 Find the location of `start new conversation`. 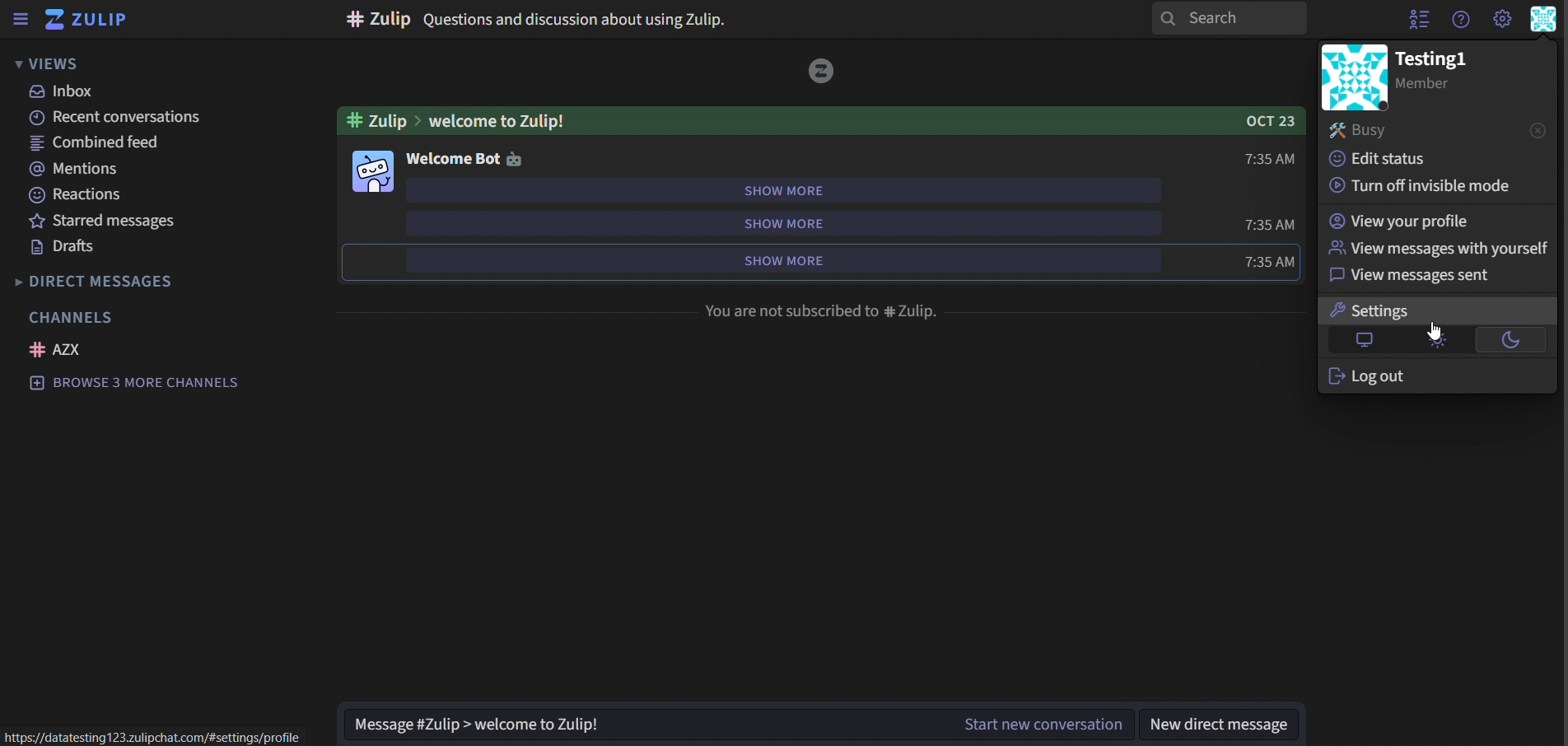

start new conversation is located at coordinates (1043, 725).